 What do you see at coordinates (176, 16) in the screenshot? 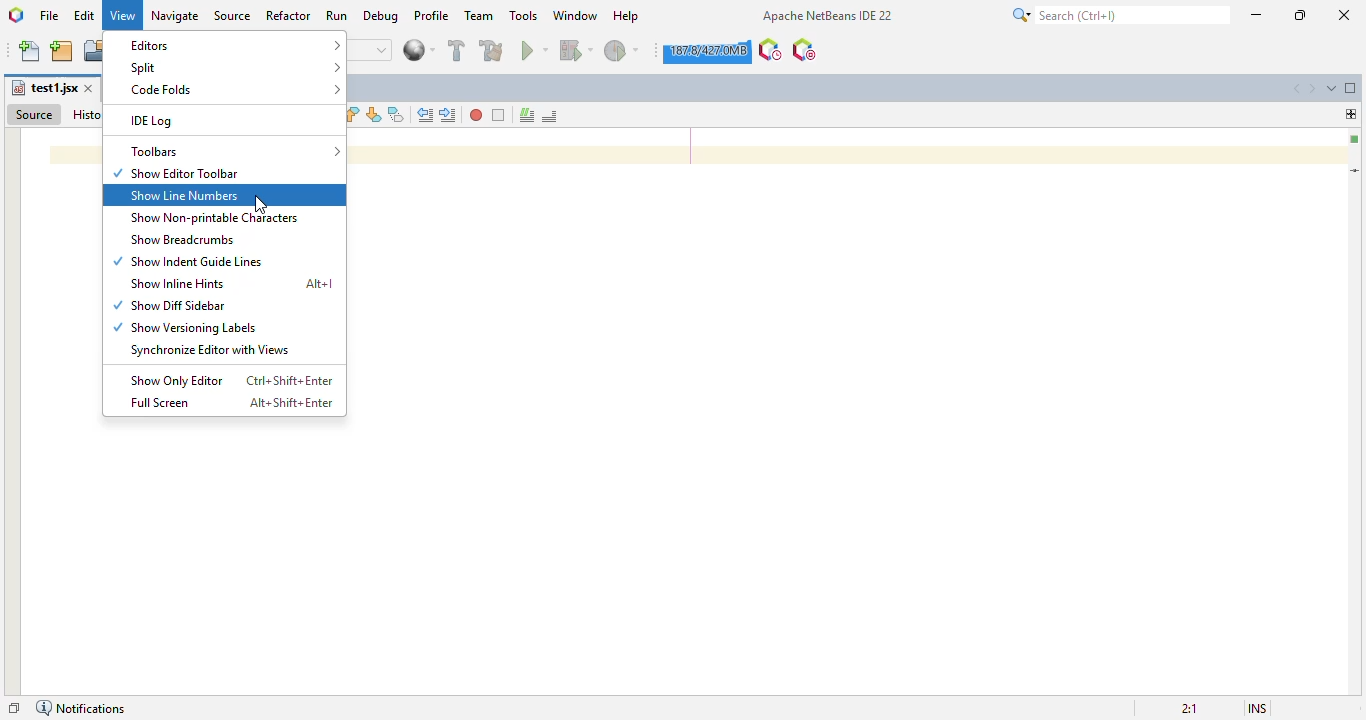
I see `navigate` at bounding box center [176, 16].